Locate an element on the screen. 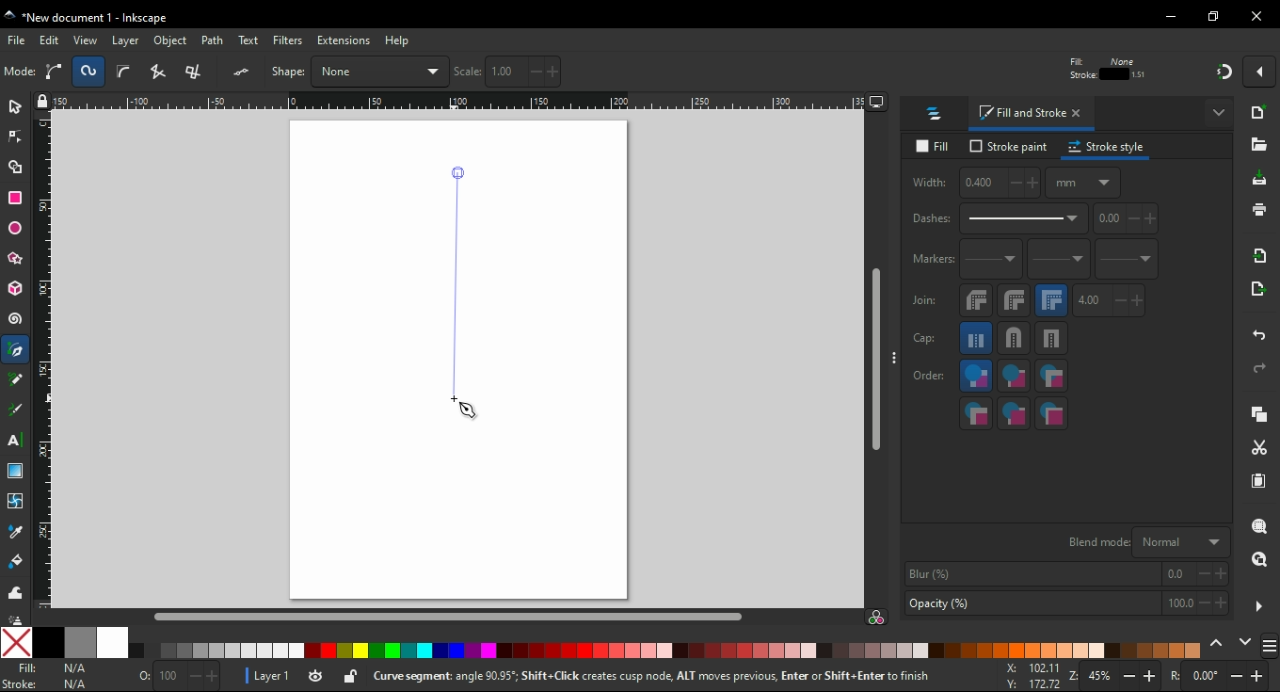 The height and width of the screenshot is (692, 1280). color schemes is located at coordinates (1268, 649).